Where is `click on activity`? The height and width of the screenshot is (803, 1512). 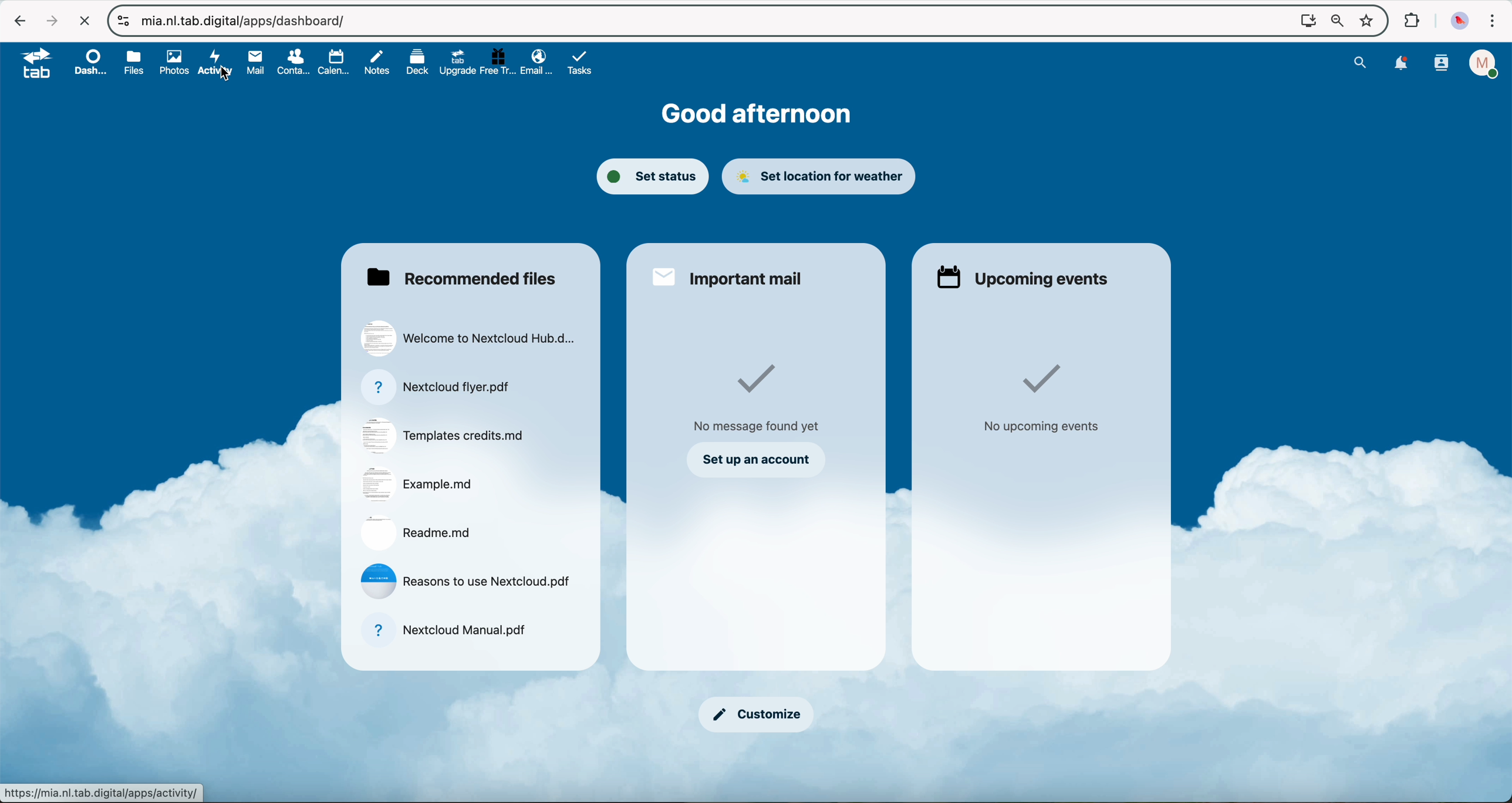 click on activity is located at coordinates (216, 63).